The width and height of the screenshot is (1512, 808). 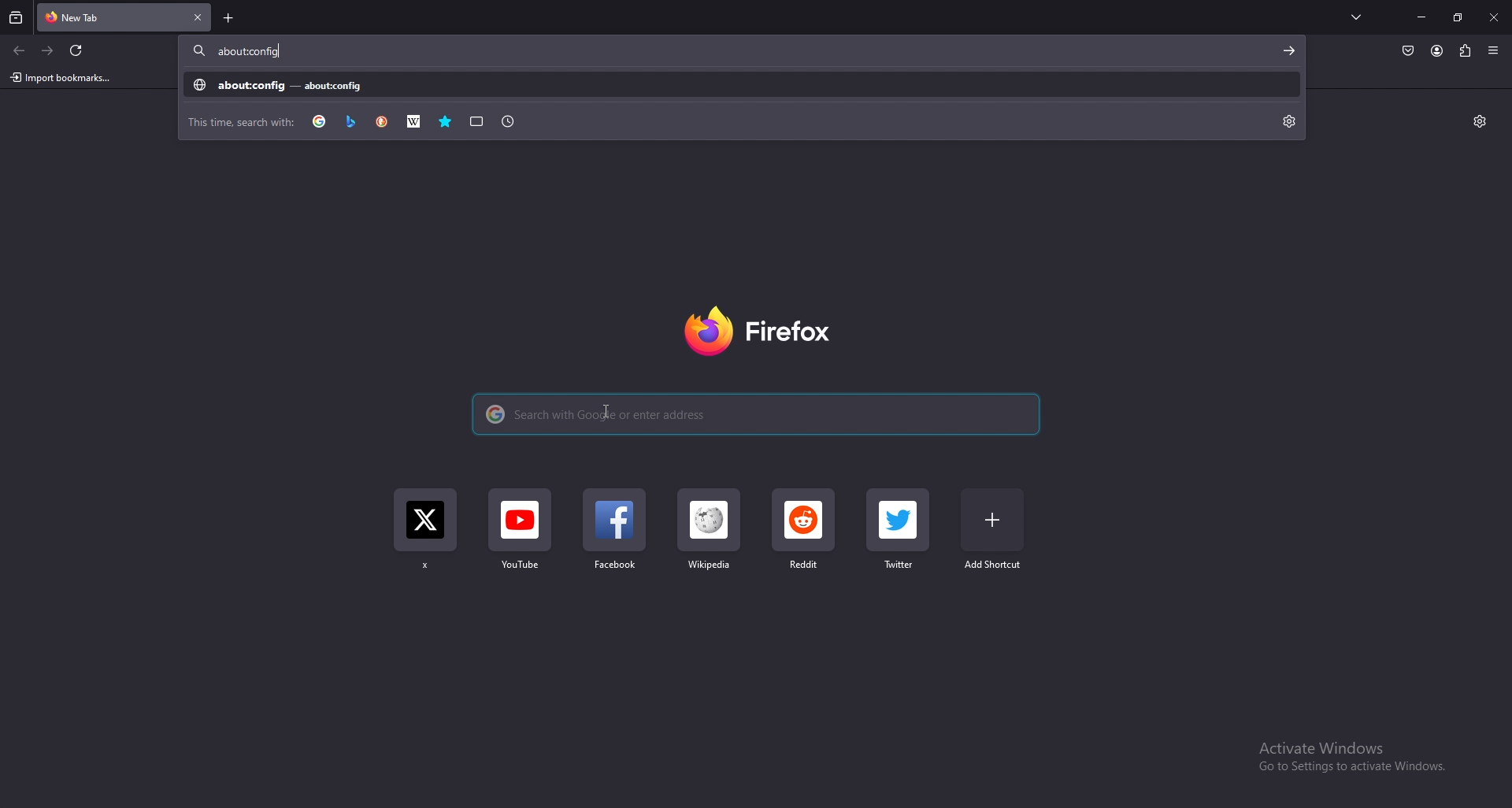 What do you see at coordinates (617, 537) in the screenshot?
I see `facebook` at bounding box center [617, 537].